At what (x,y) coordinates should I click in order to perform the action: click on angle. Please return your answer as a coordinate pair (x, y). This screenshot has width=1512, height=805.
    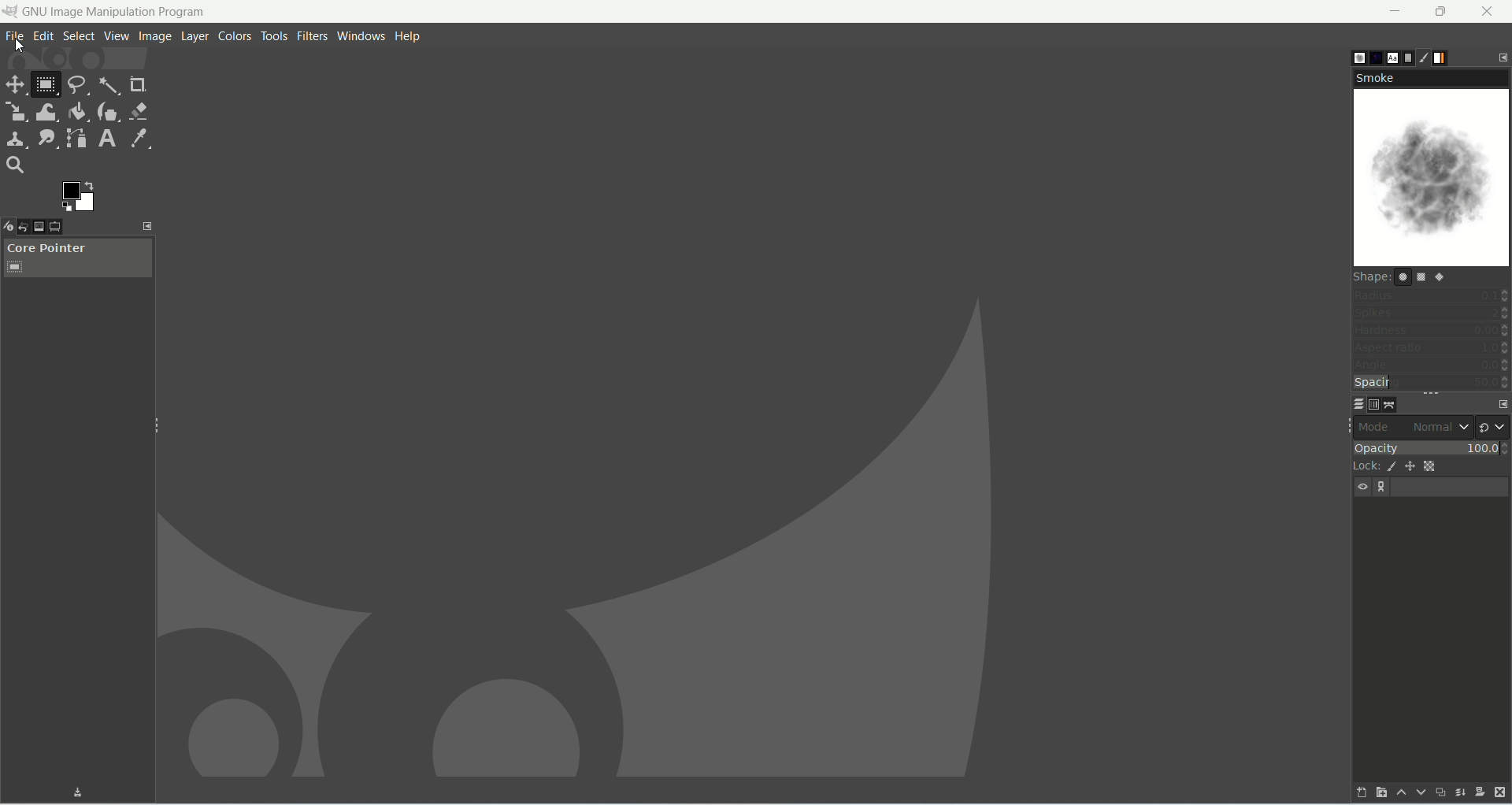
    Looking at the image, I should click on (1431, 364).